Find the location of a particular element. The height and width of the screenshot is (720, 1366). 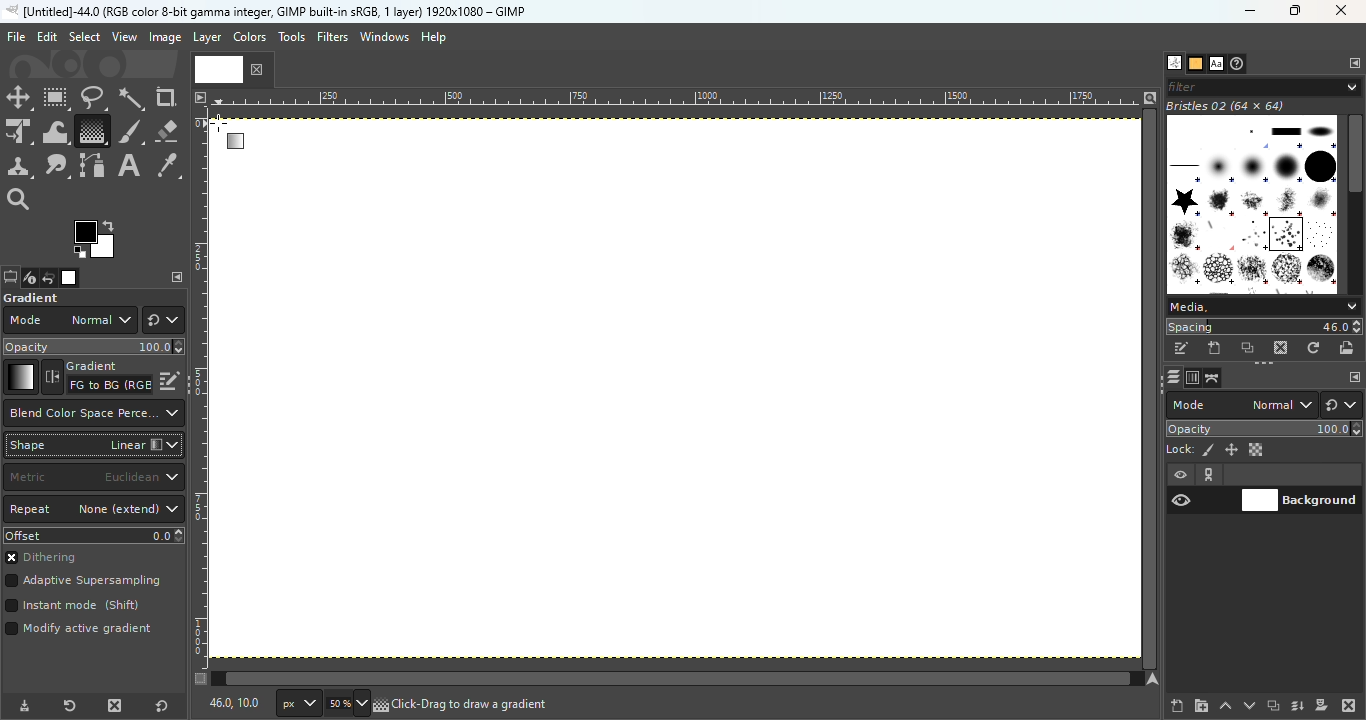

Eraser tool is located at coordinates (166, 127).